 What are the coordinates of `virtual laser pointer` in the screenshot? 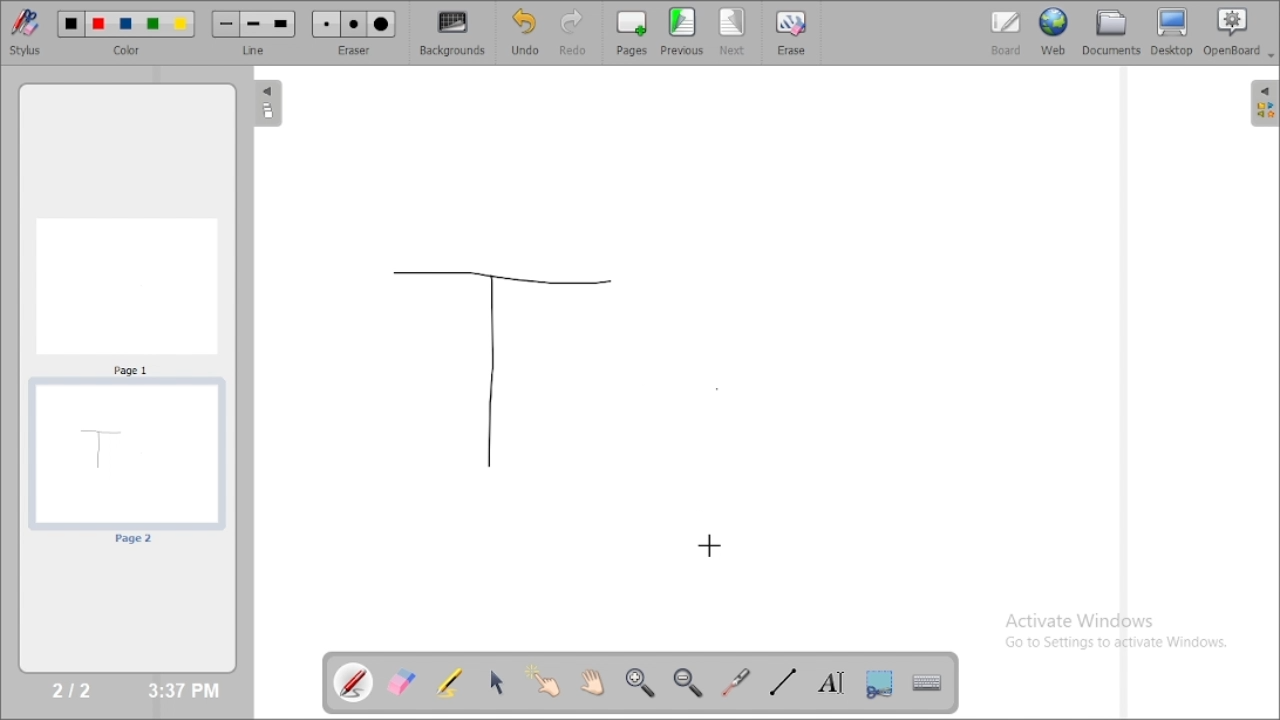 It's located at (736, 682).